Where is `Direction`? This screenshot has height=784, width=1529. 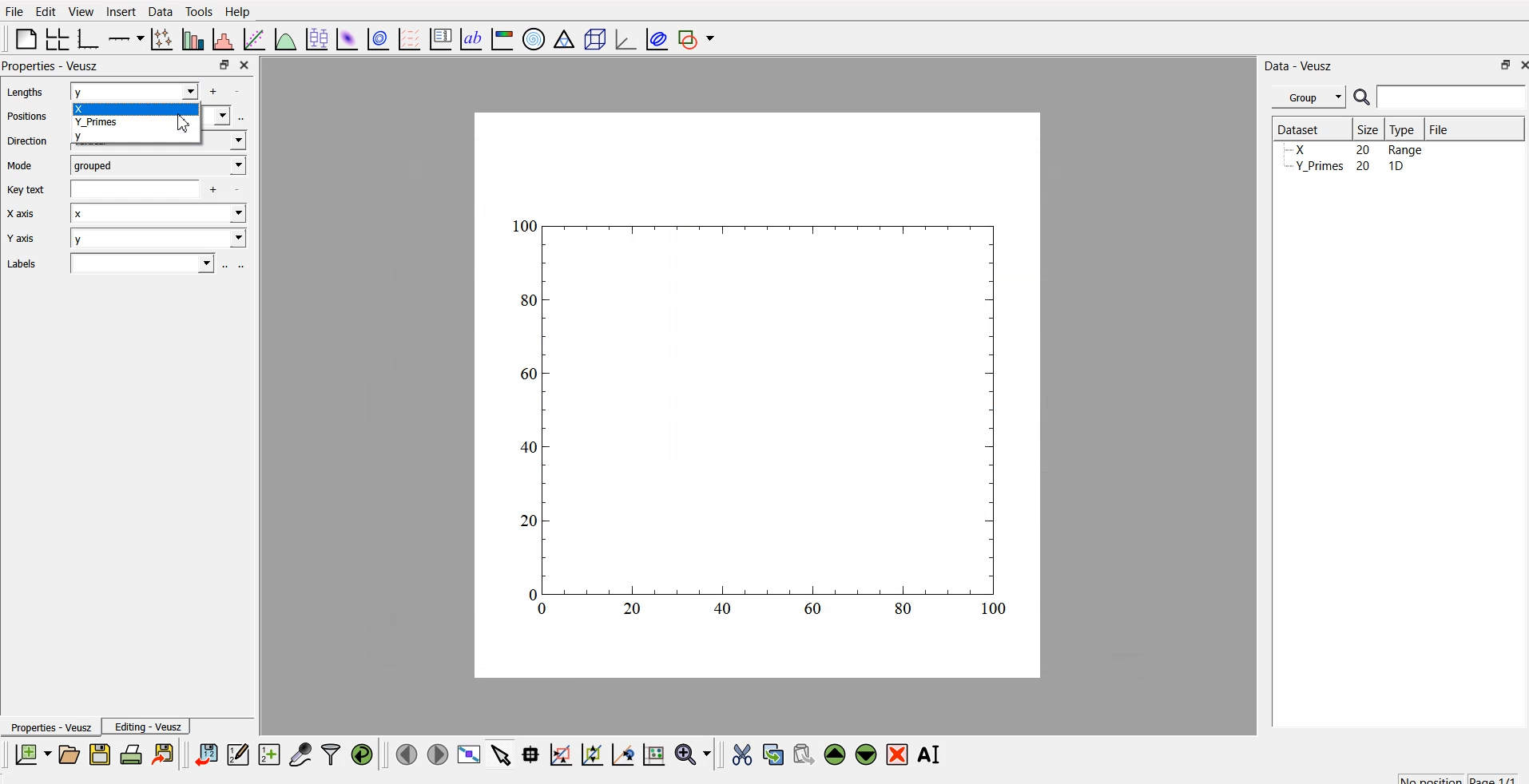 Direction is located at coordinates (30, 141).